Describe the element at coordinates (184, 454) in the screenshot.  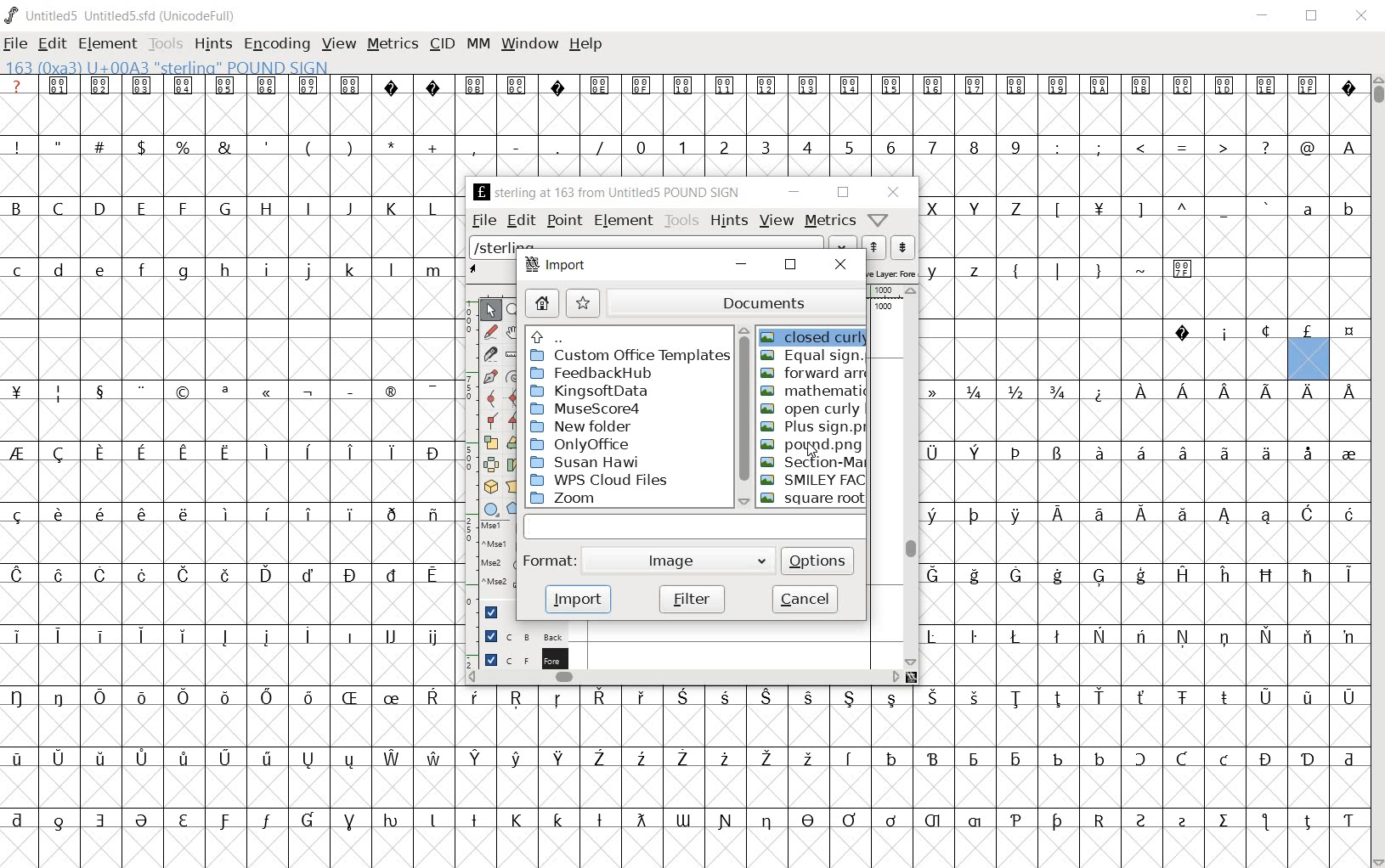
I see `Symbol` at that location.